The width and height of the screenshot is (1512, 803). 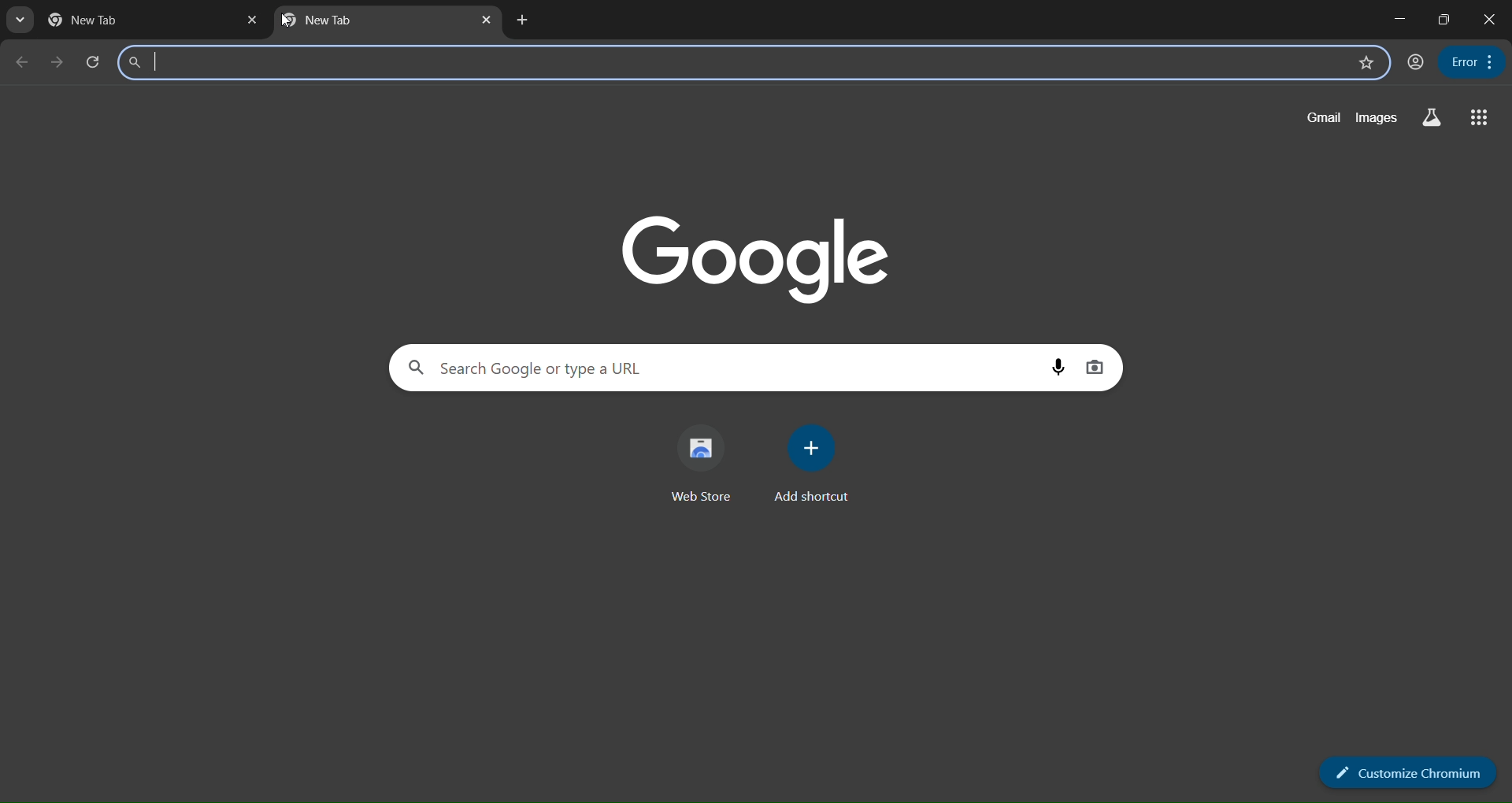 What do you see at coordinates (1468, 64) in the screenshot?
I see `Customize and control options` at bounding box center [1468, 64].